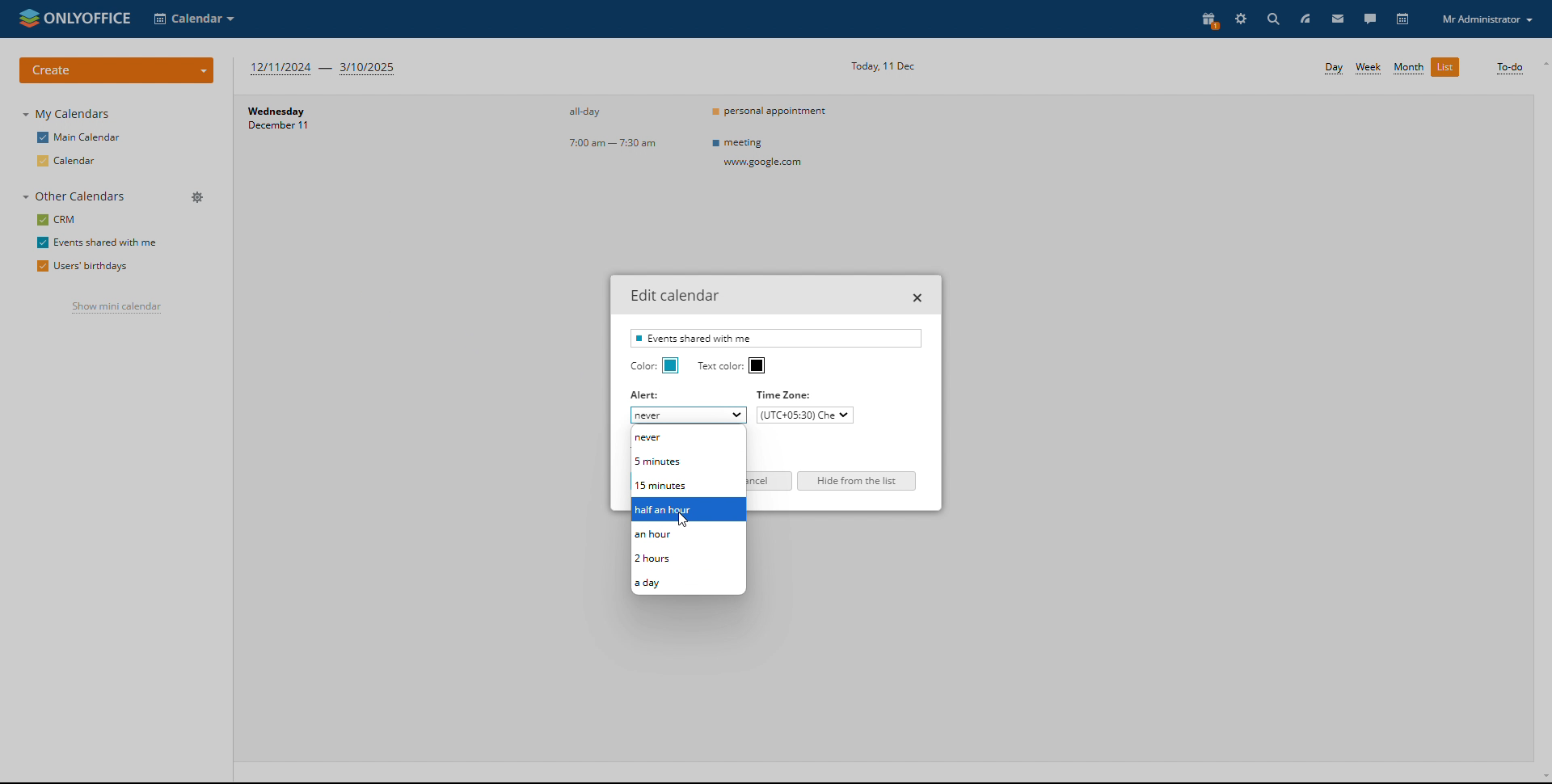  I want to click on 15 minutes, so click(687, 485).